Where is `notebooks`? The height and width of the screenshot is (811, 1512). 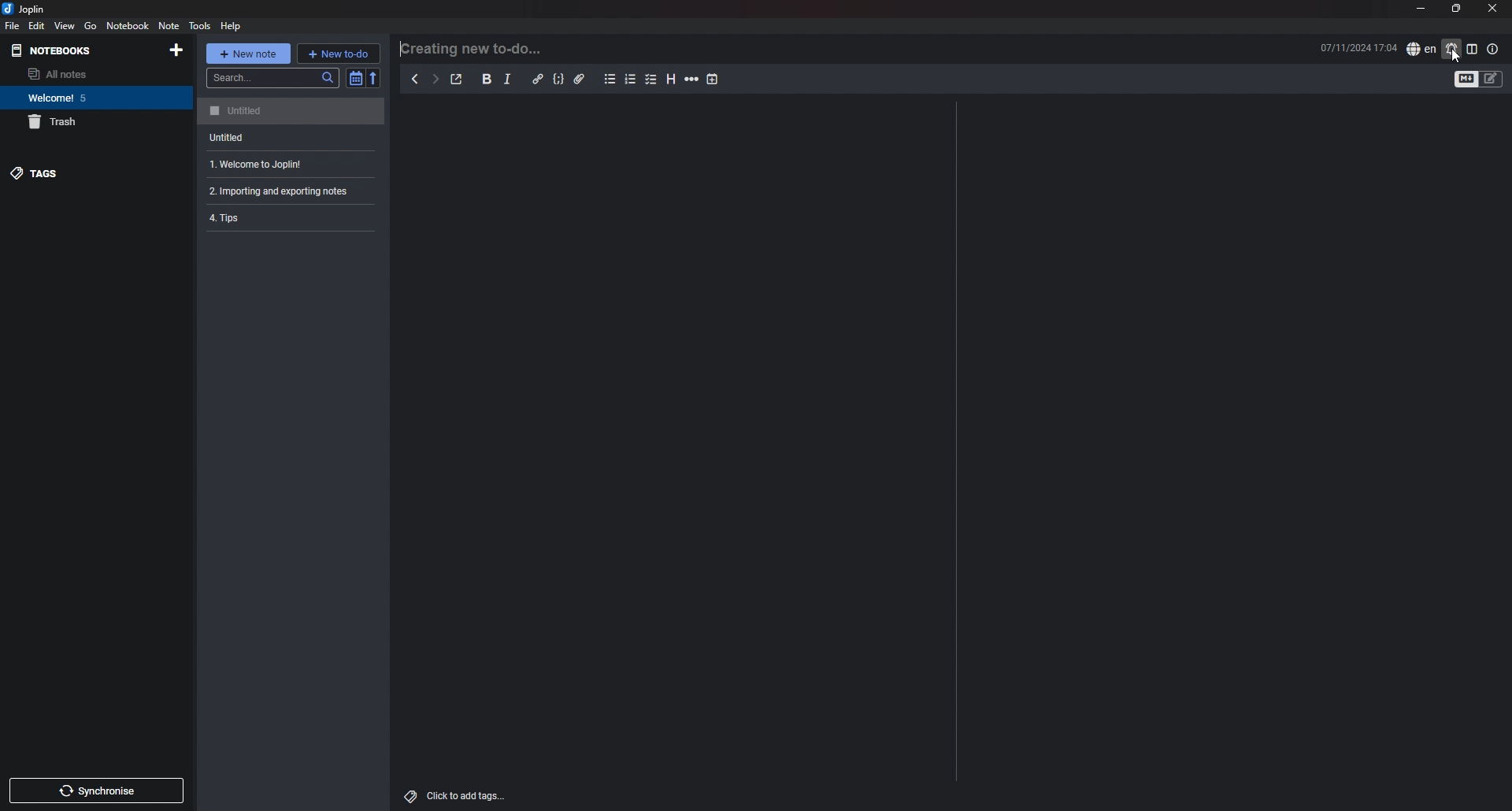 notebooks is located at coordinates (66, 50).